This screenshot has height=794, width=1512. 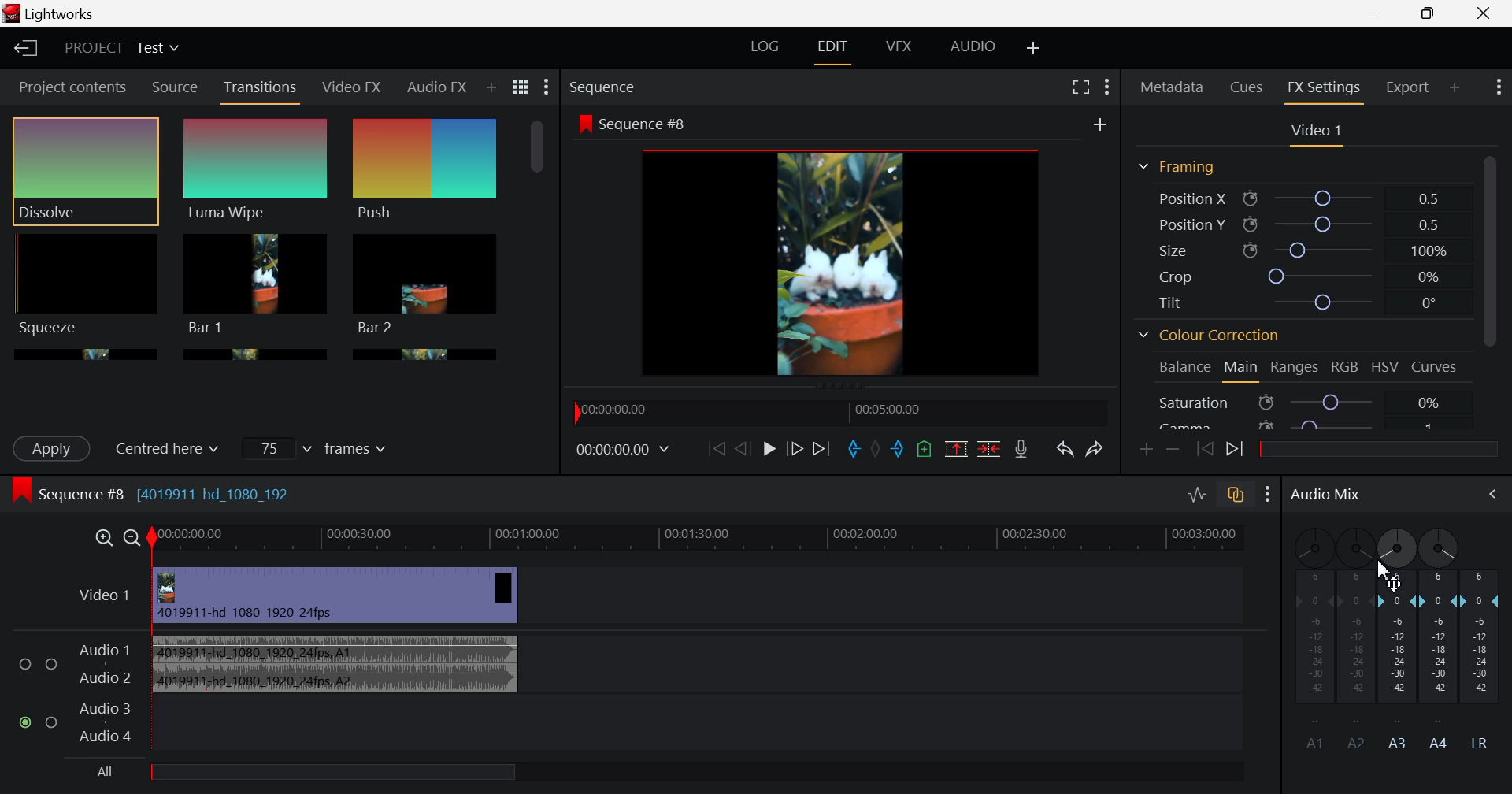 What do you see at coordinates (1214, 334) in the screenshot?
I see `Colour Correction` at bounding box center [1214, 334].